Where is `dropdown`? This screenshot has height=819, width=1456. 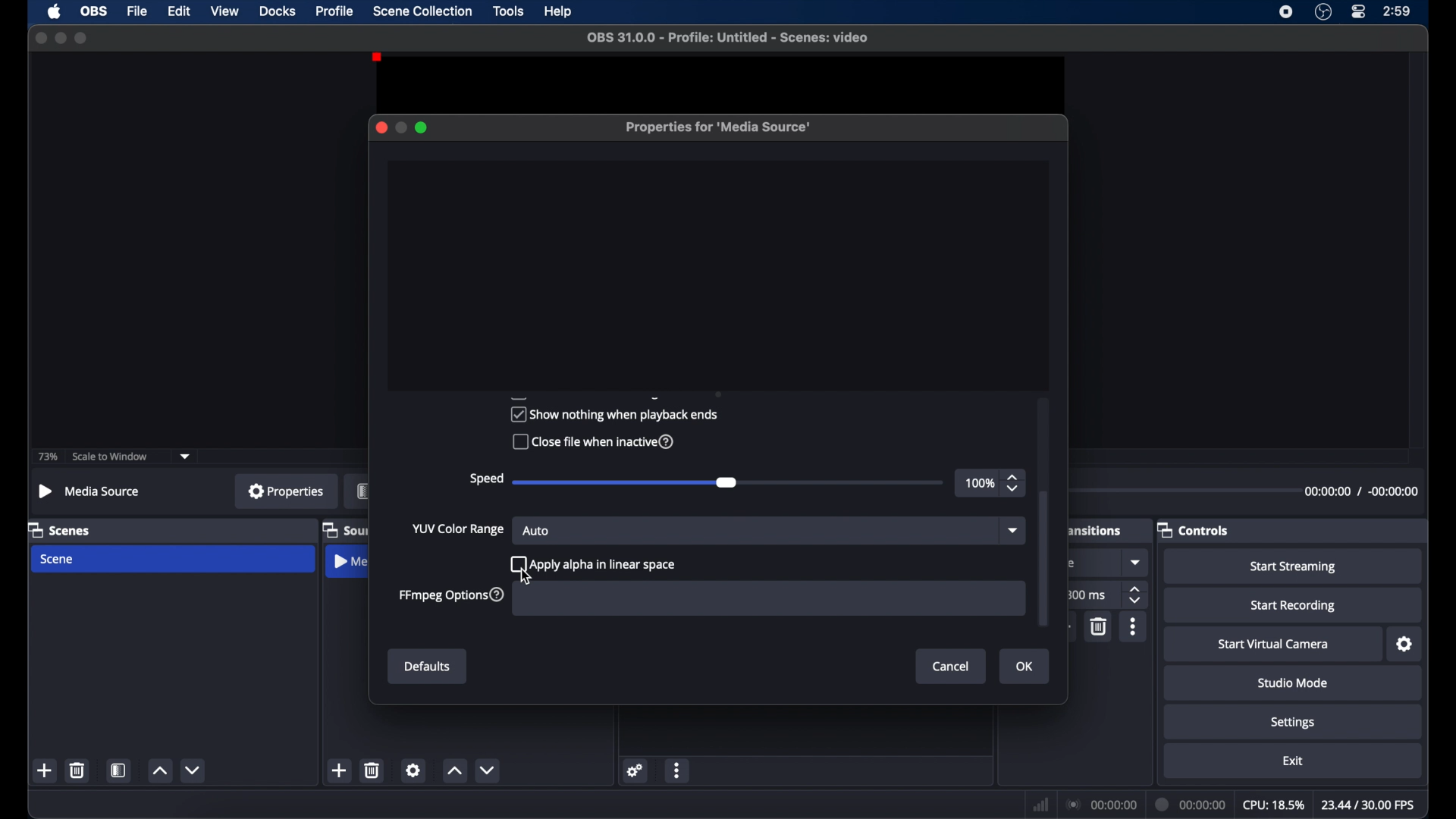 dropdown is located at coordinates (1137, 562).